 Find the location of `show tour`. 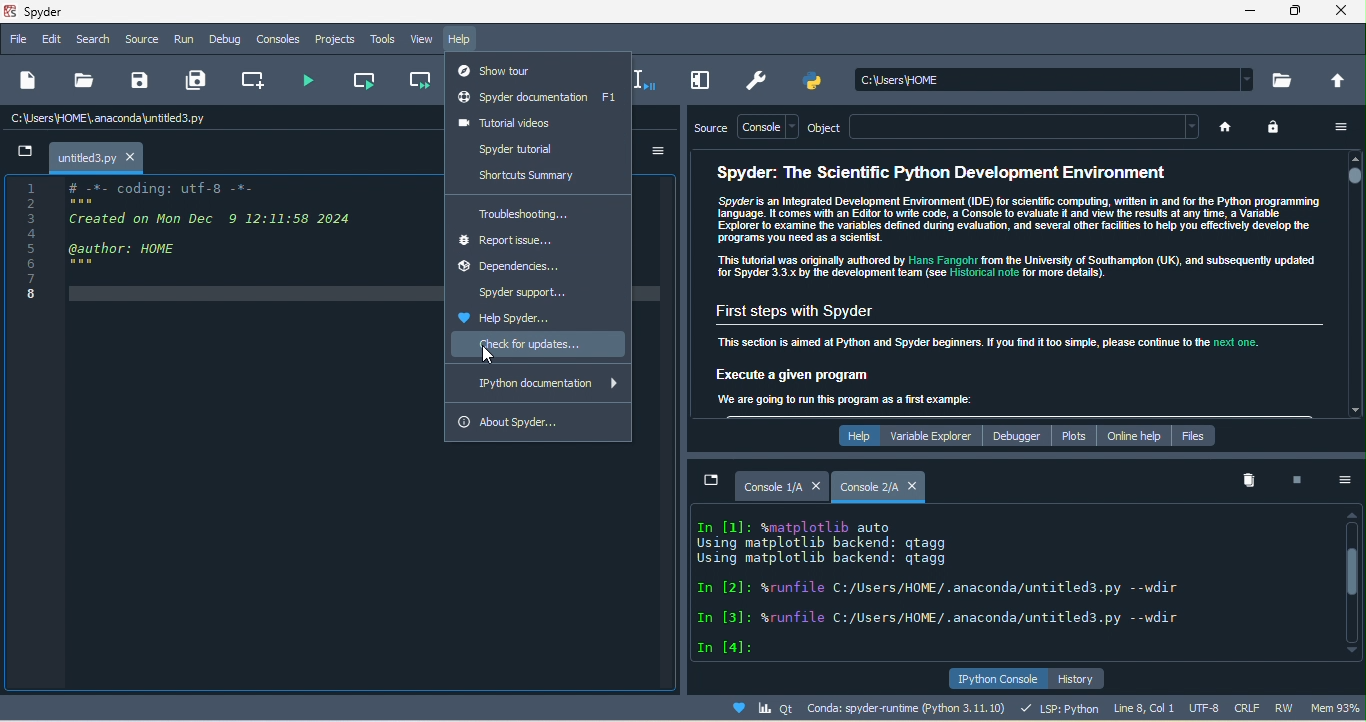

show tour is located at coordinates (510, 70).